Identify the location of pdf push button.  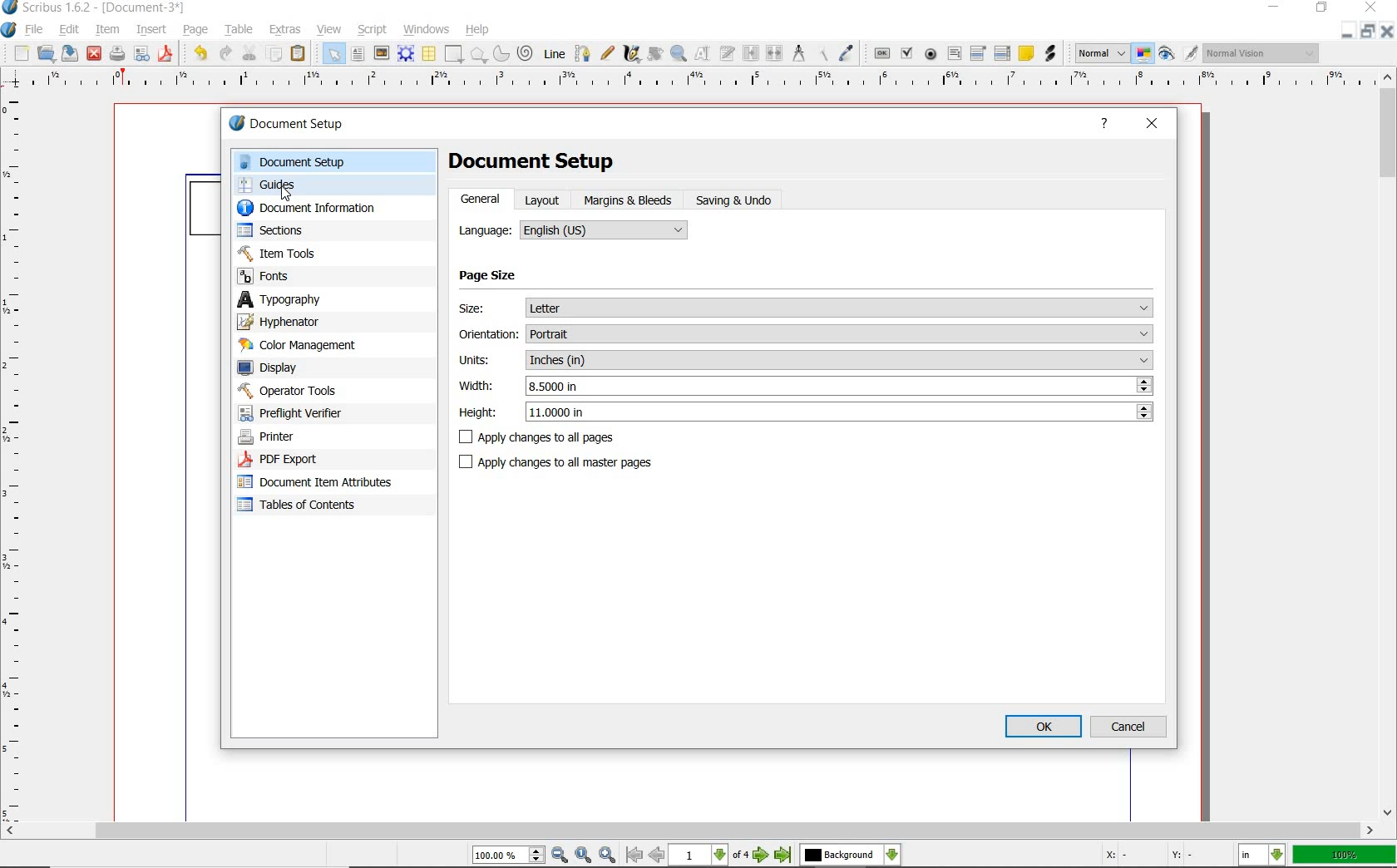
(881, 52).